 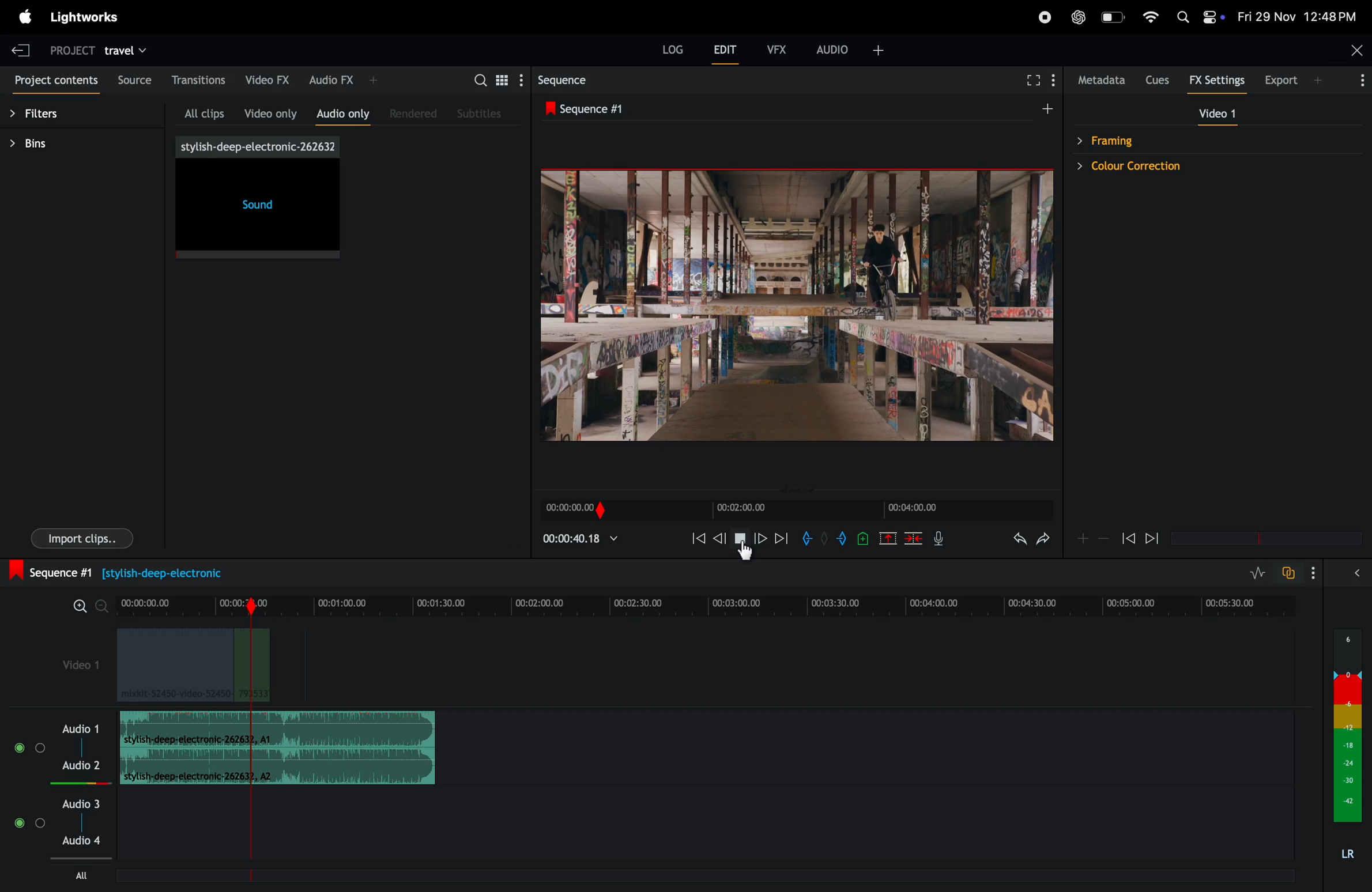 I want to click on toggle auto track sync, so click(x=1287, y=573).